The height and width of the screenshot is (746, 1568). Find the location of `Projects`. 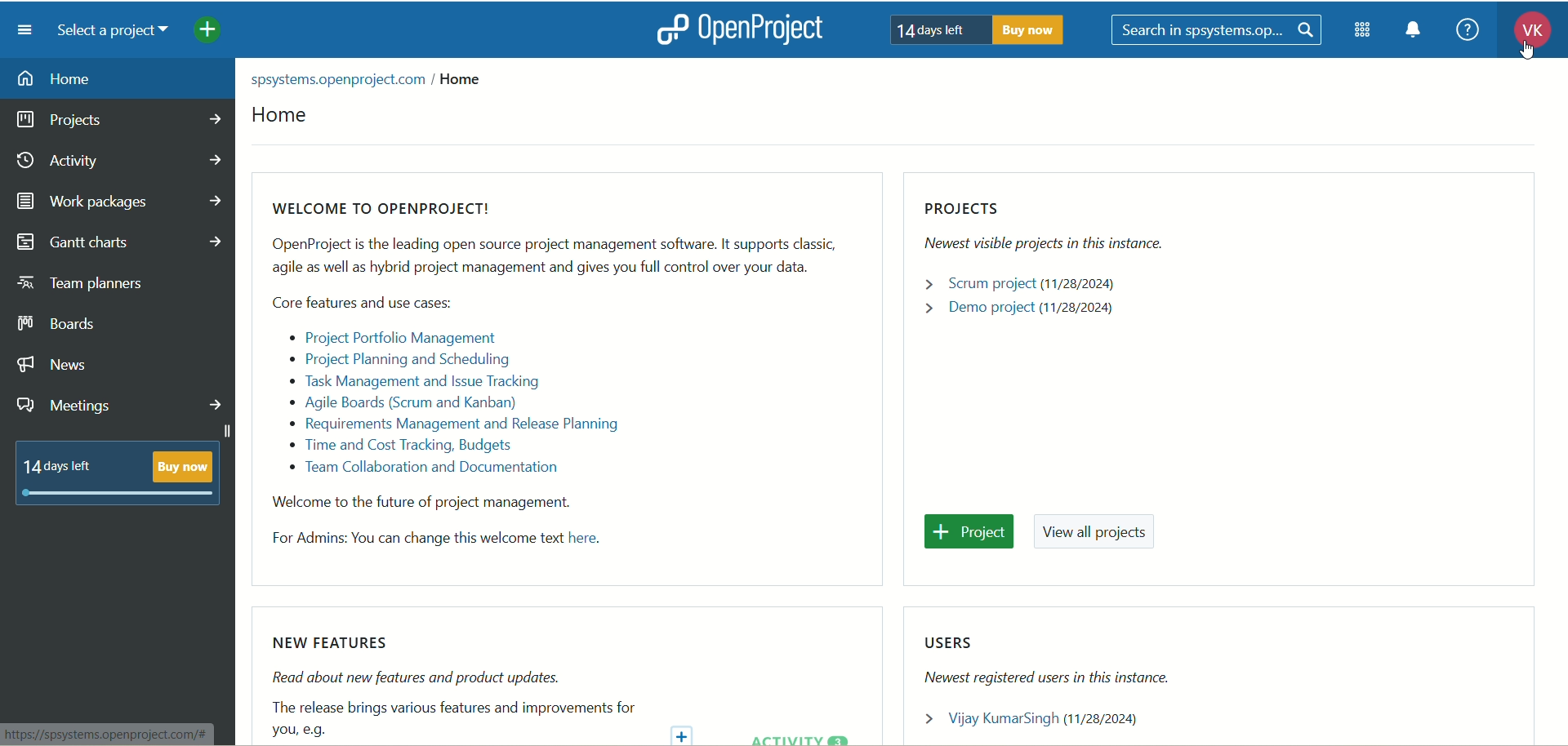

Projects is located at coordinates (1060, 228).